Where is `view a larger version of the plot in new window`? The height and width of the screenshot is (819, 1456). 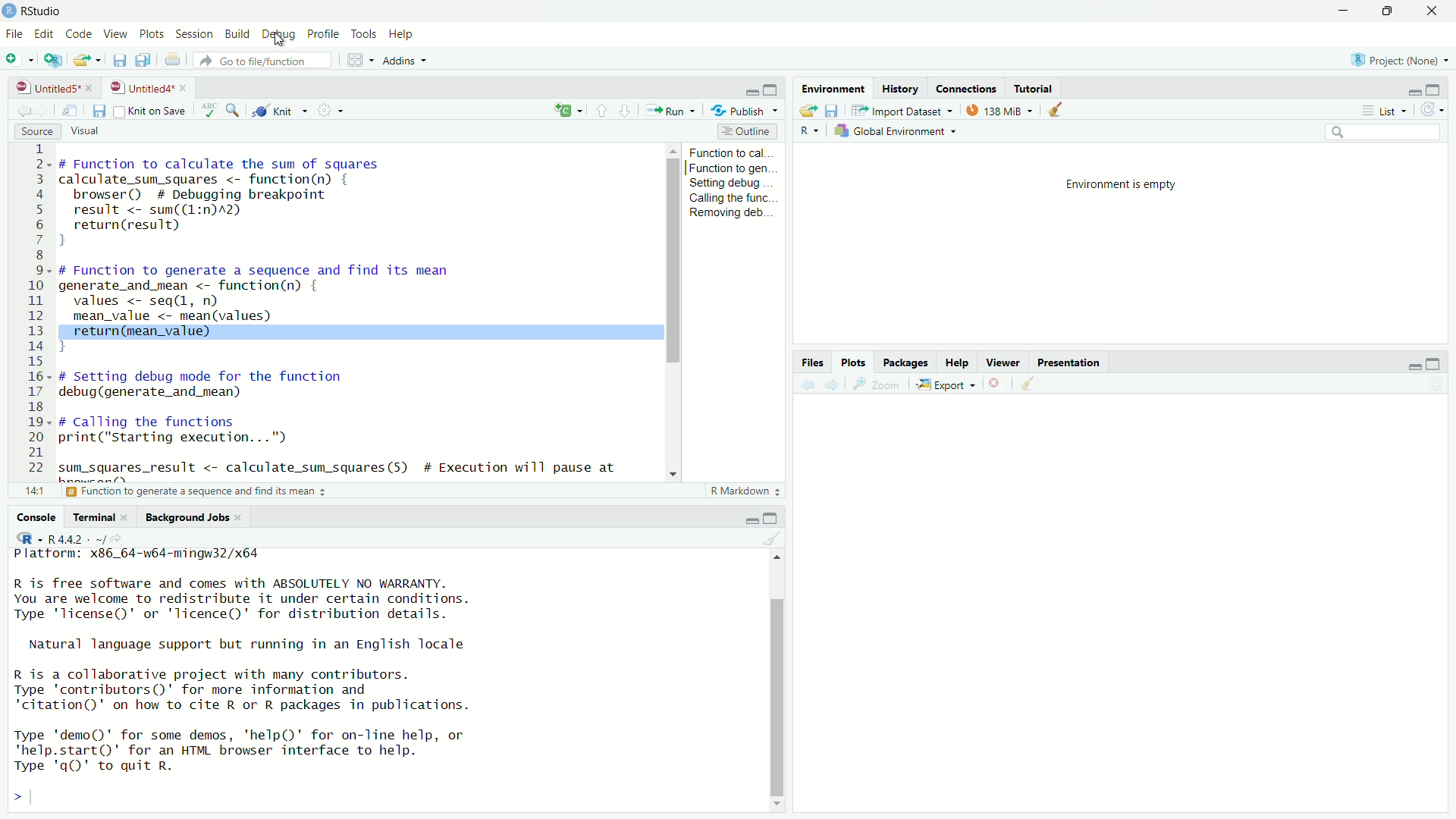 view a larger version of the plot in new window is located at coordinates (881, 384).